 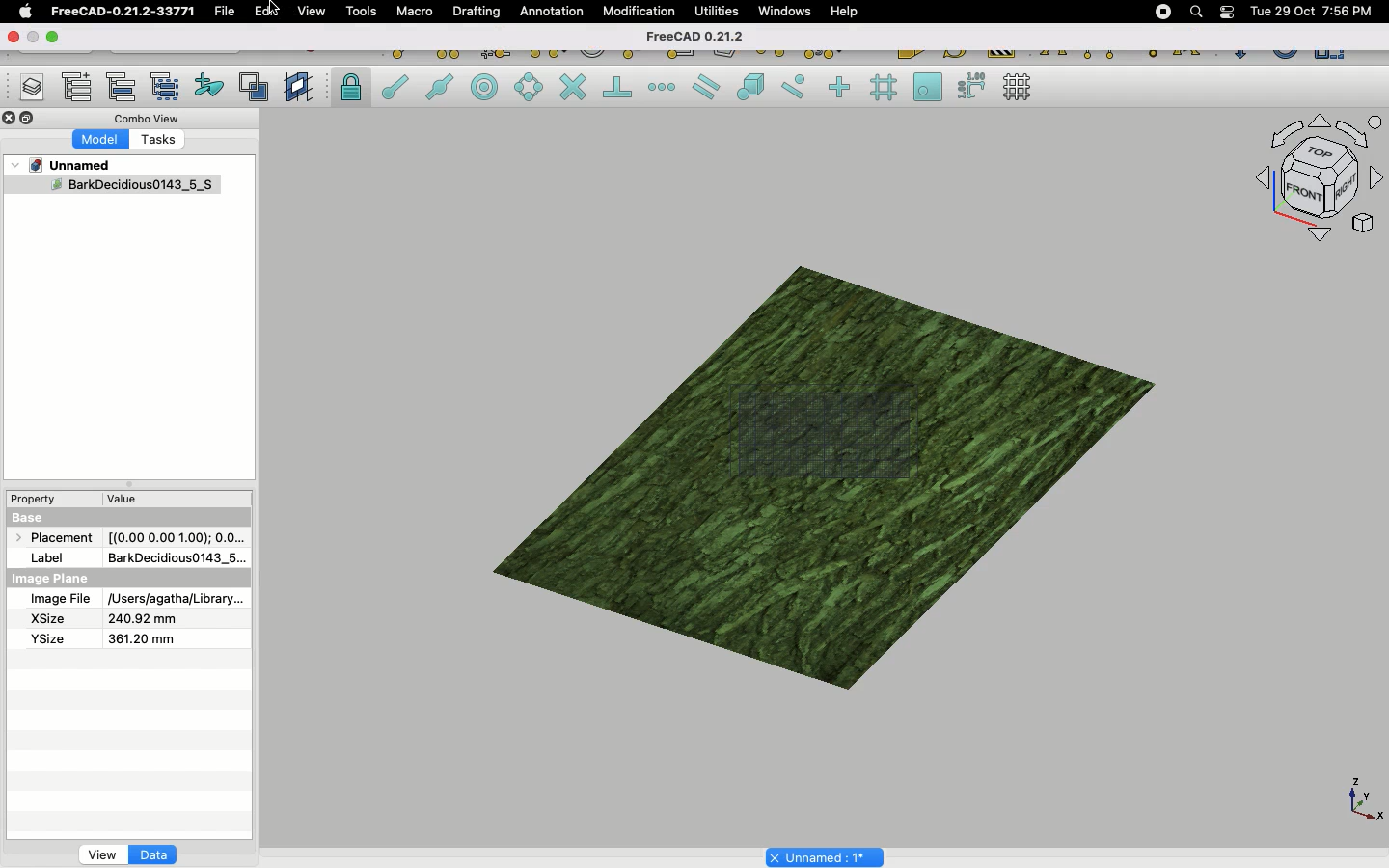 What do you see at coordinates (530, 89) in the screenshot?
I see `Snap angle` at bounding box center [530, 89].